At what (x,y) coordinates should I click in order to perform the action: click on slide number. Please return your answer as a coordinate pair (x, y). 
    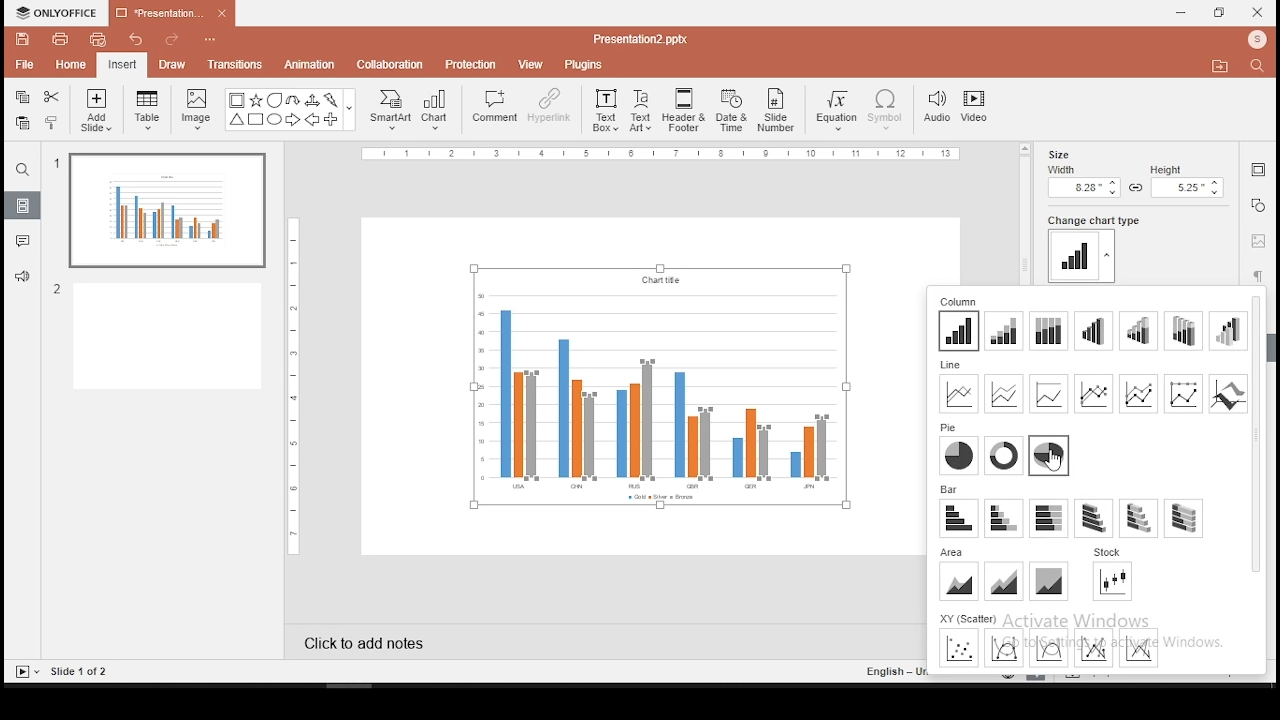
    Looking at the image, I should click on (778, 109).